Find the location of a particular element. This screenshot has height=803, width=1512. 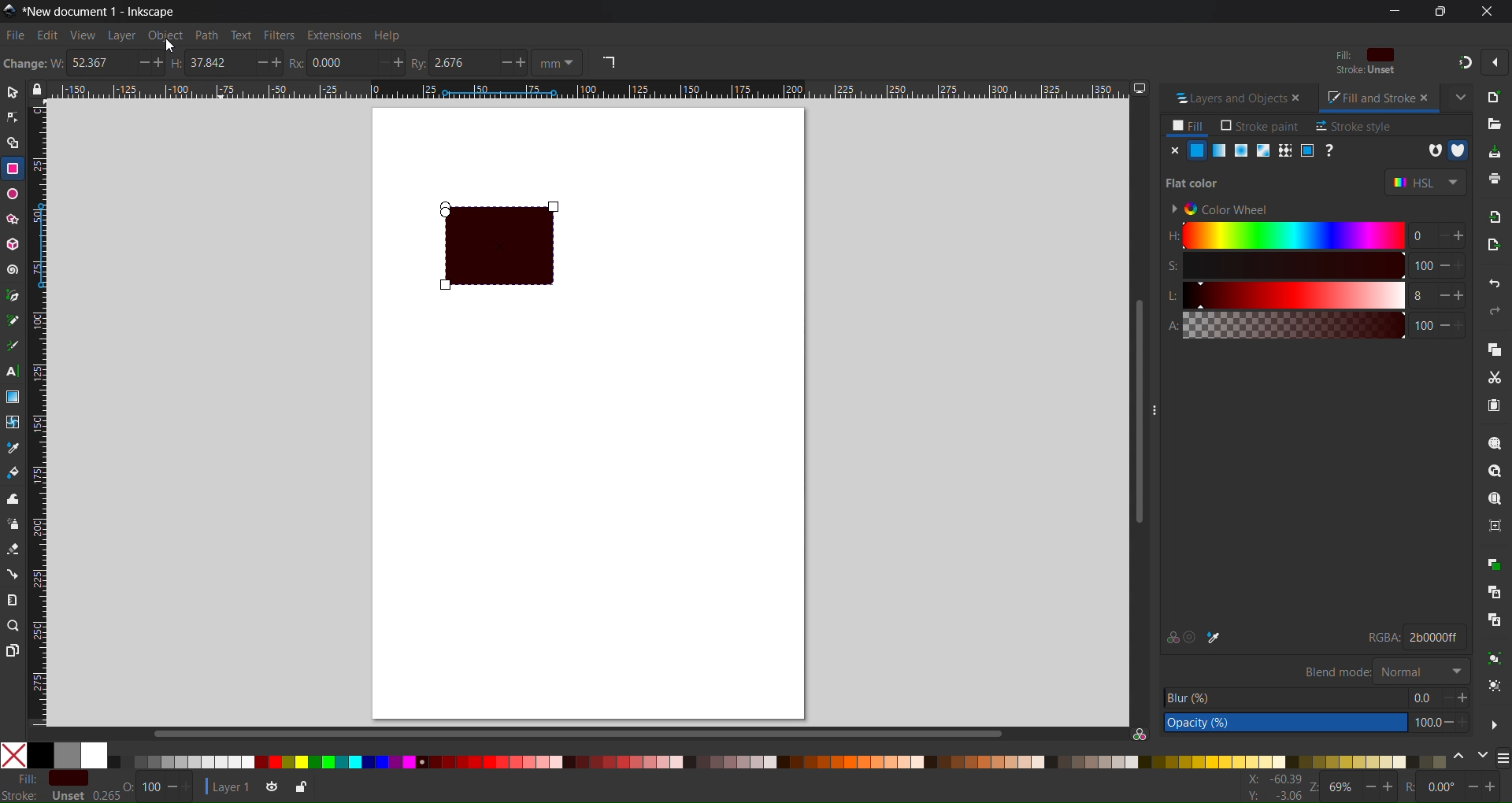

current opacity: 100 is located at coordinates (1424, 723).